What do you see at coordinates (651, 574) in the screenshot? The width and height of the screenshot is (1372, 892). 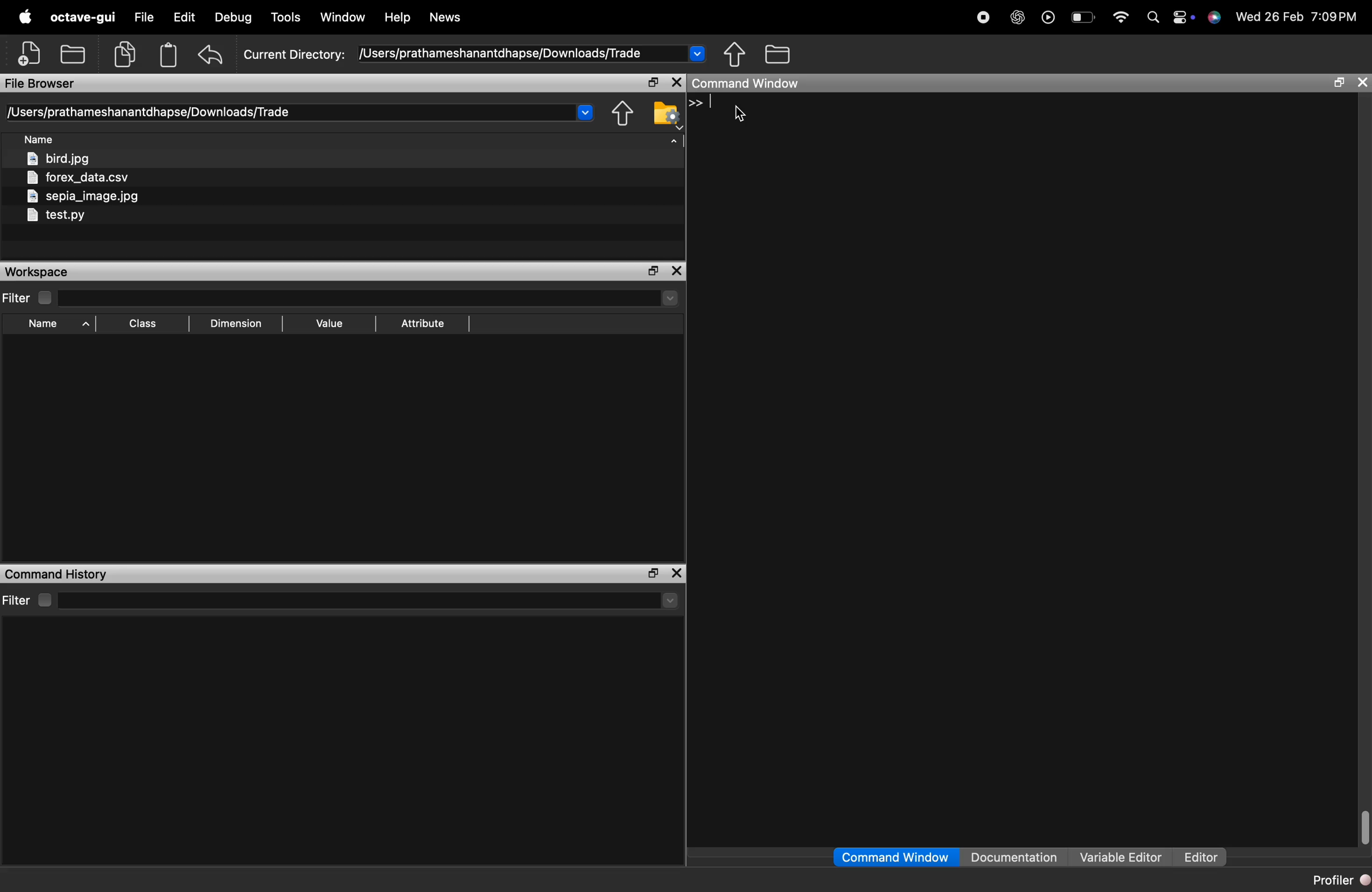 I see `maximize` at bounding box center [651, 574].